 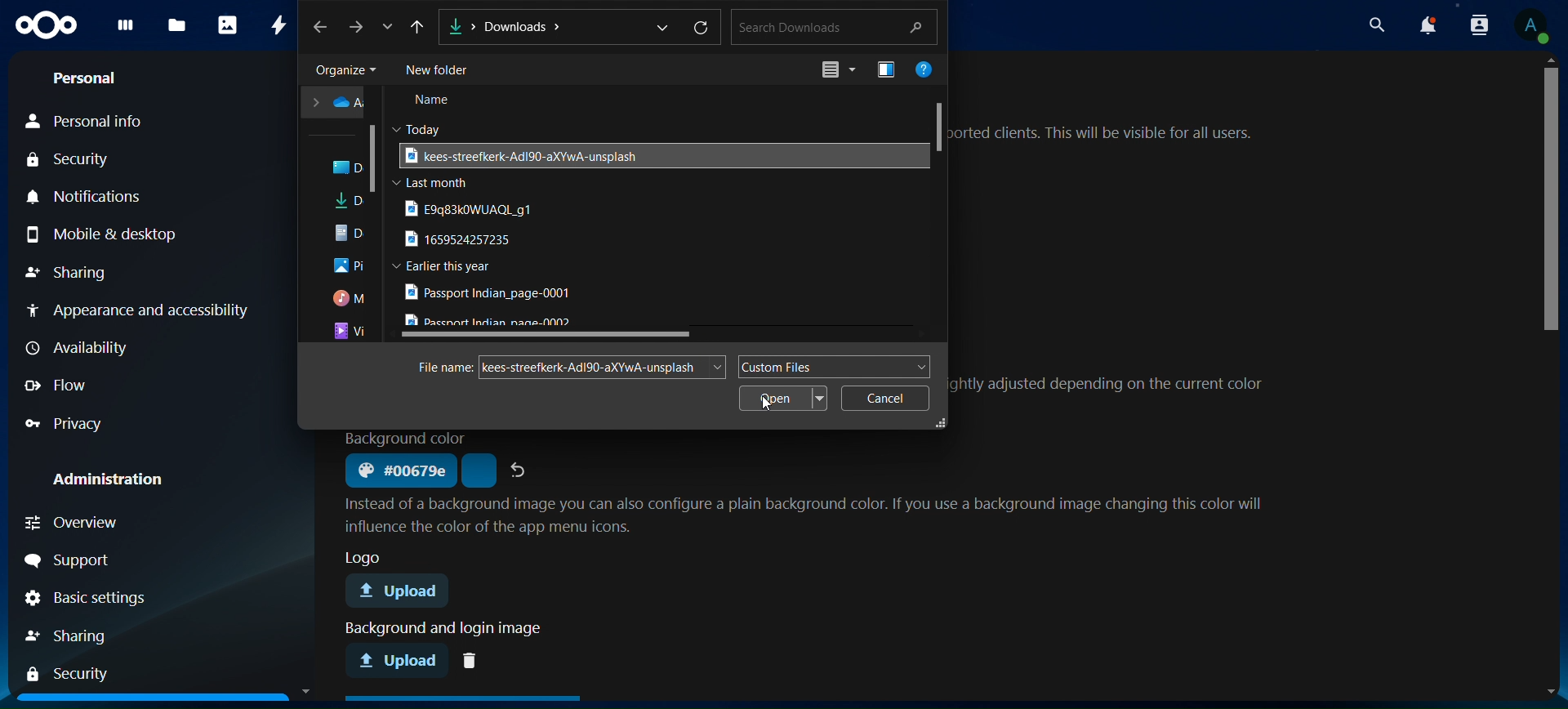 I want to click on file, so click(x=477, y=208).